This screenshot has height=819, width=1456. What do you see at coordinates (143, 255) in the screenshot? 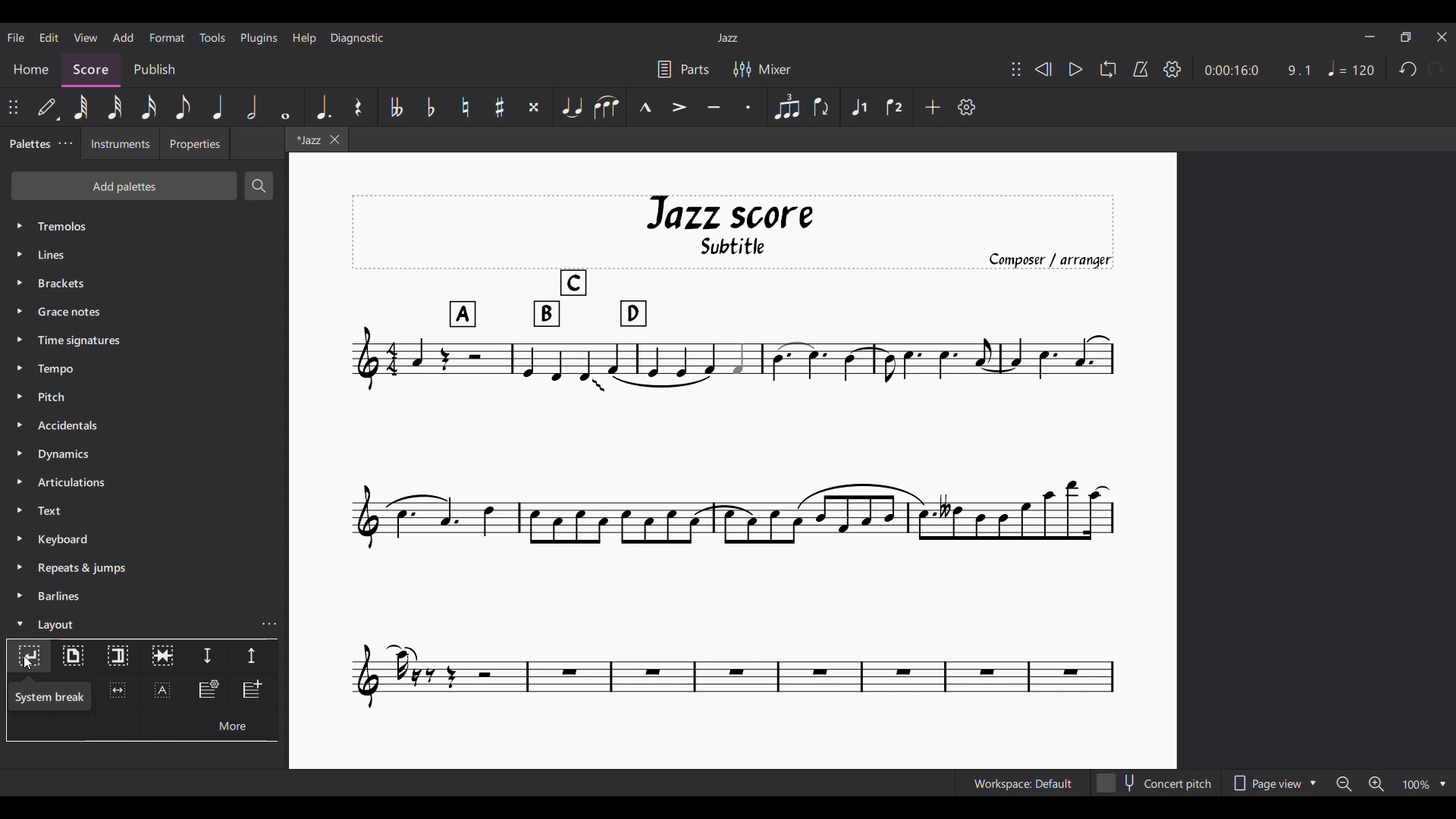
I see `Lines` at bounding box center [143, 255].